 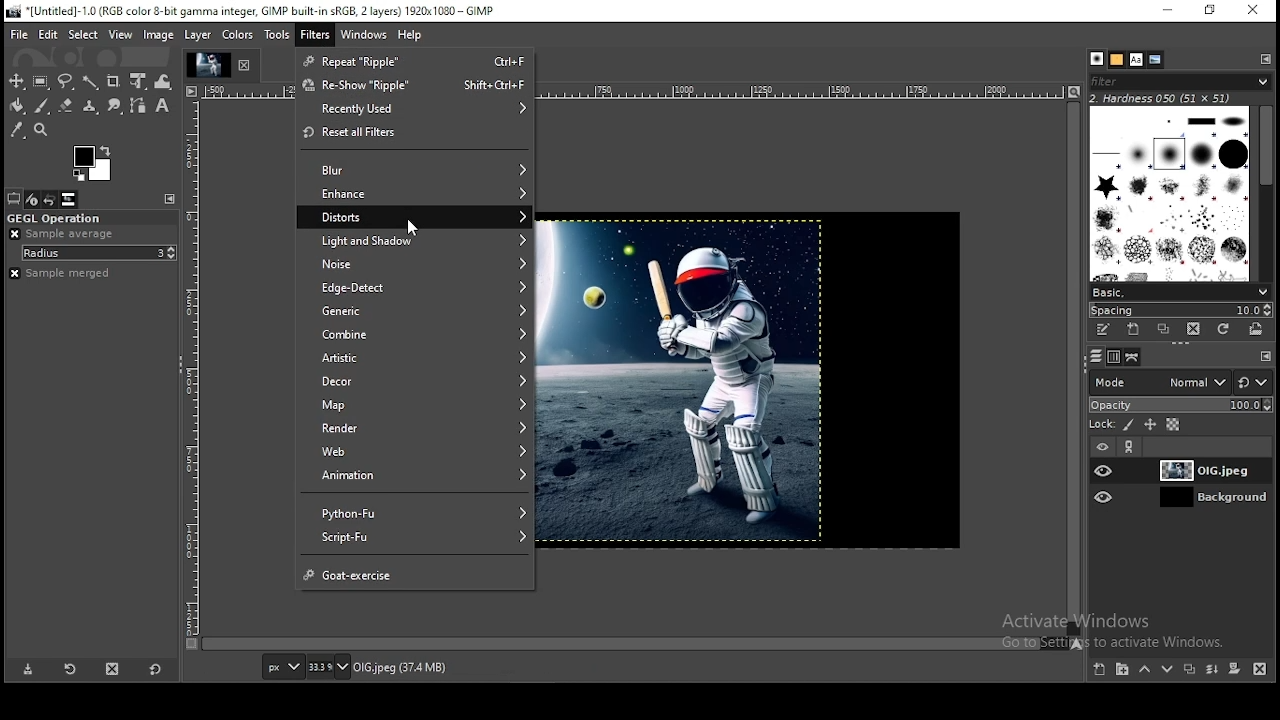 I want to click on tools, so click(x=276, y=35).